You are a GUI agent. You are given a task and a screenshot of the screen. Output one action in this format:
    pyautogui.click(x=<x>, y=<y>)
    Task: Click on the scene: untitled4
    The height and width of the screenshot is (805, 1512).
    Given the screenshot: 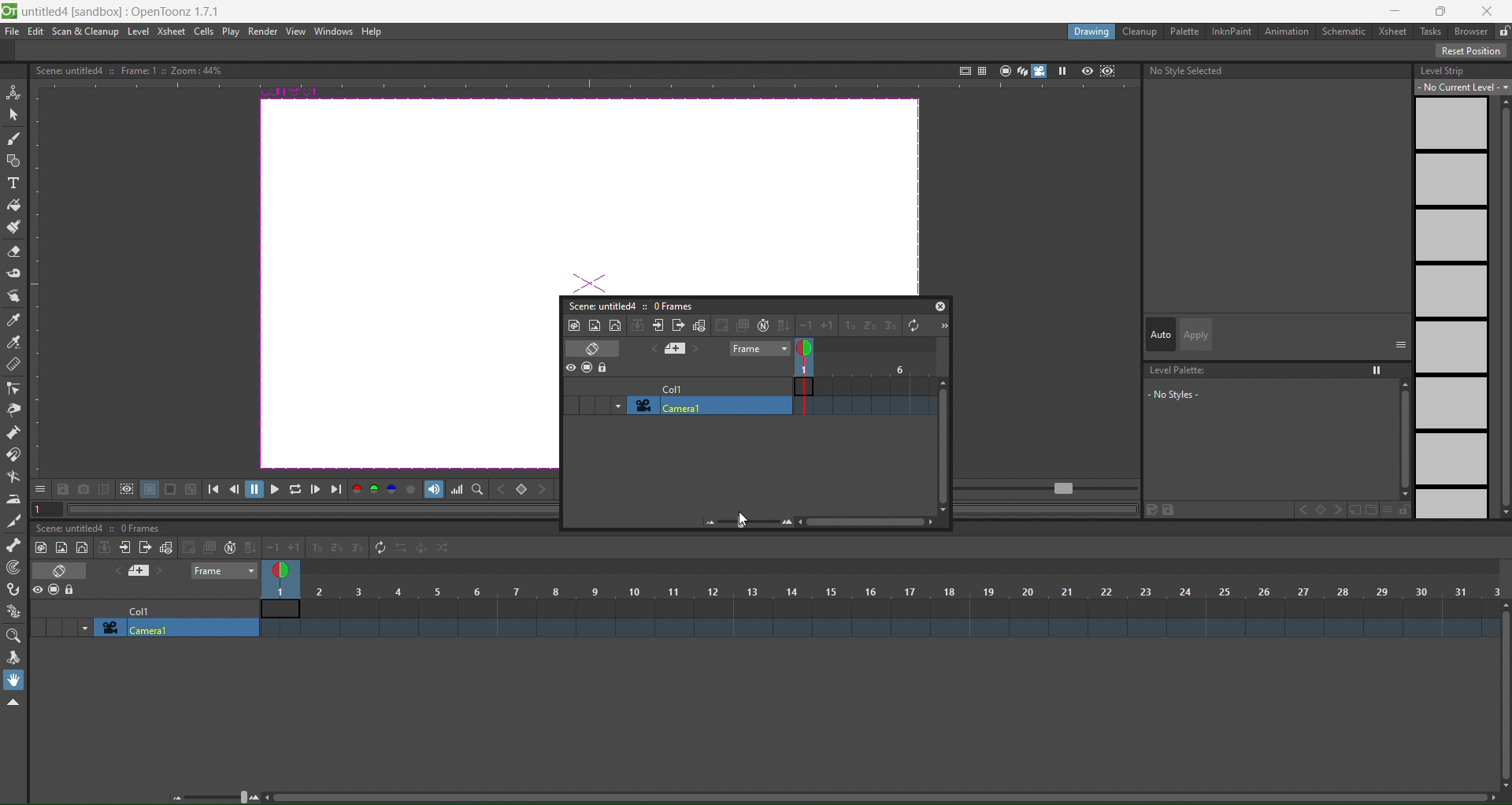 What is the action you would take?
    pyautogui.click(x=599, y=305)
    